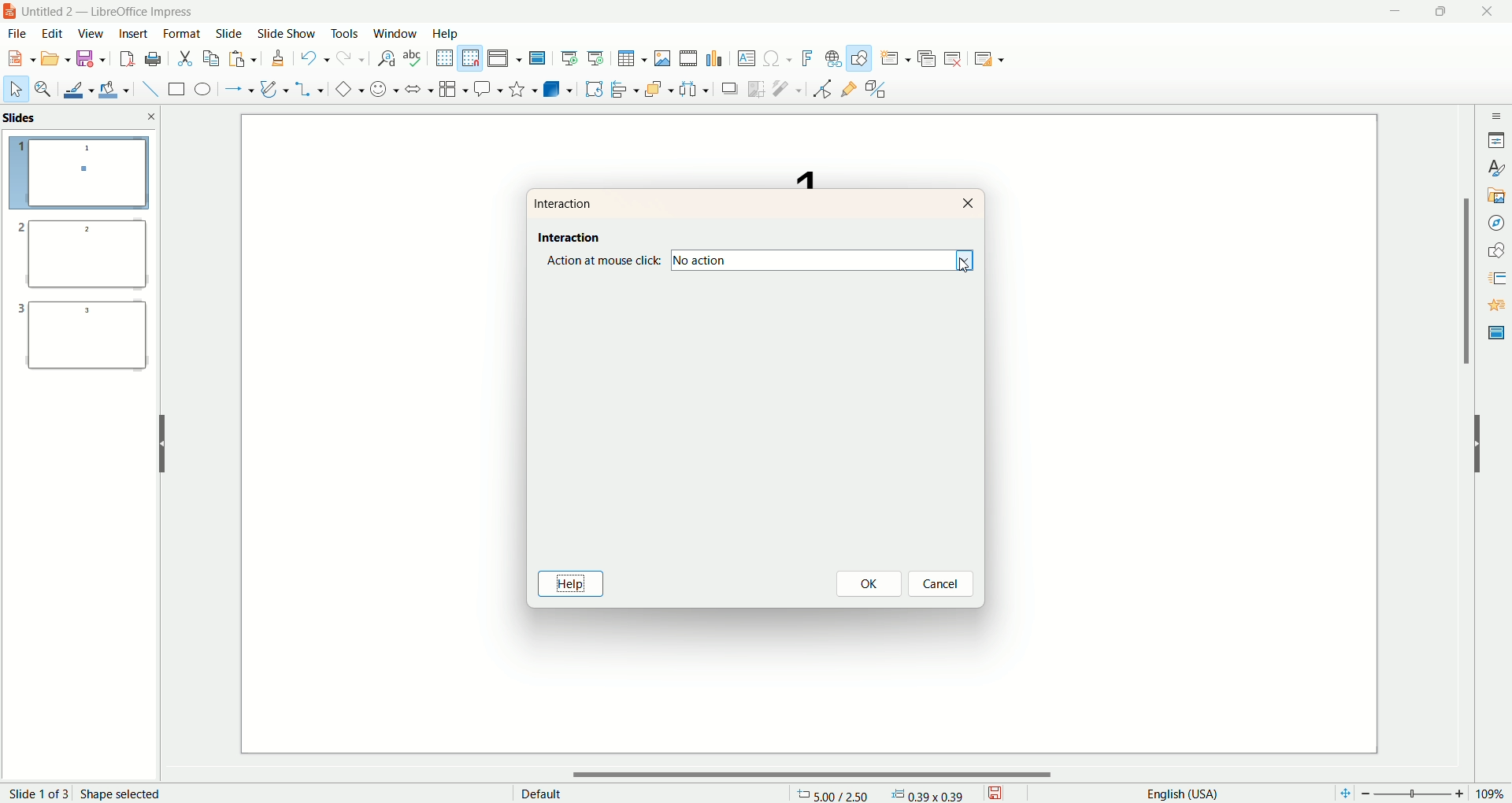  I want to click on hyperlink, so click(830, 59).